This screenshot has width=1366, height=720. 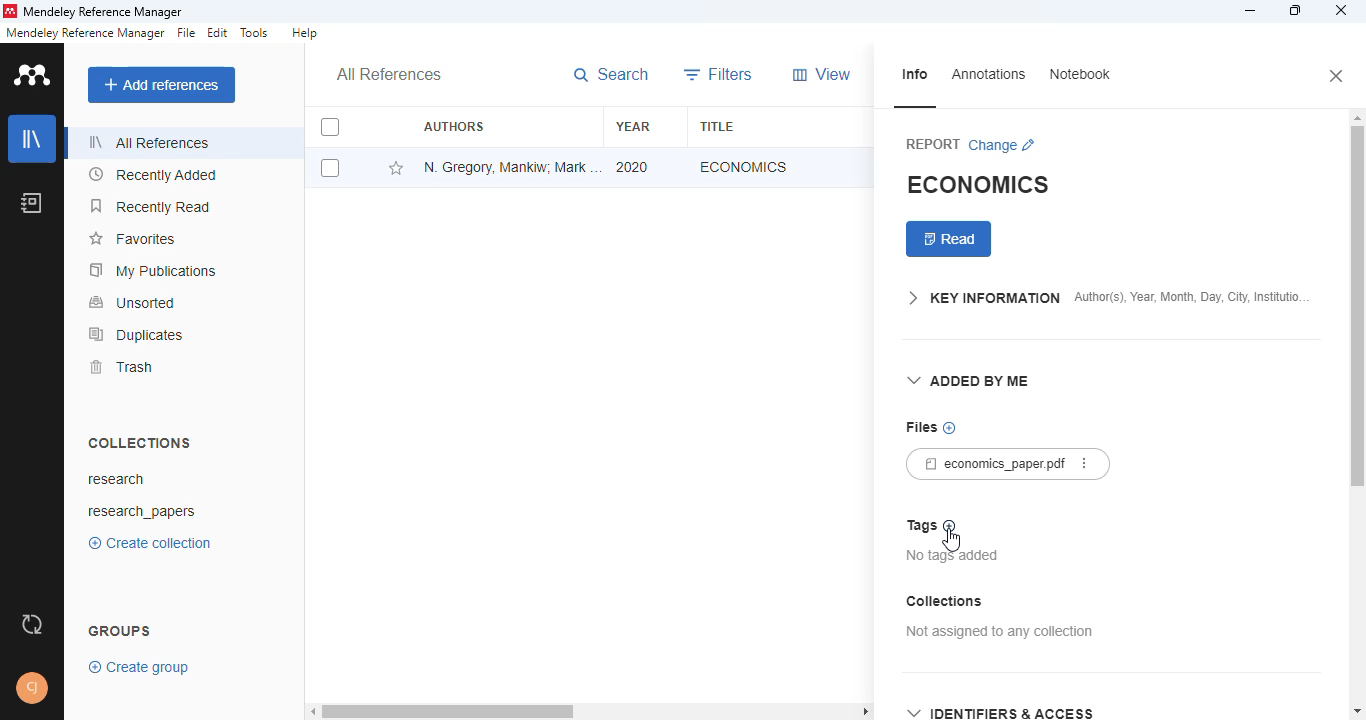 What do you see at coordinates (1081, 74) in the screenshot?
I see `notebook` at bounding box center [1081, 74].